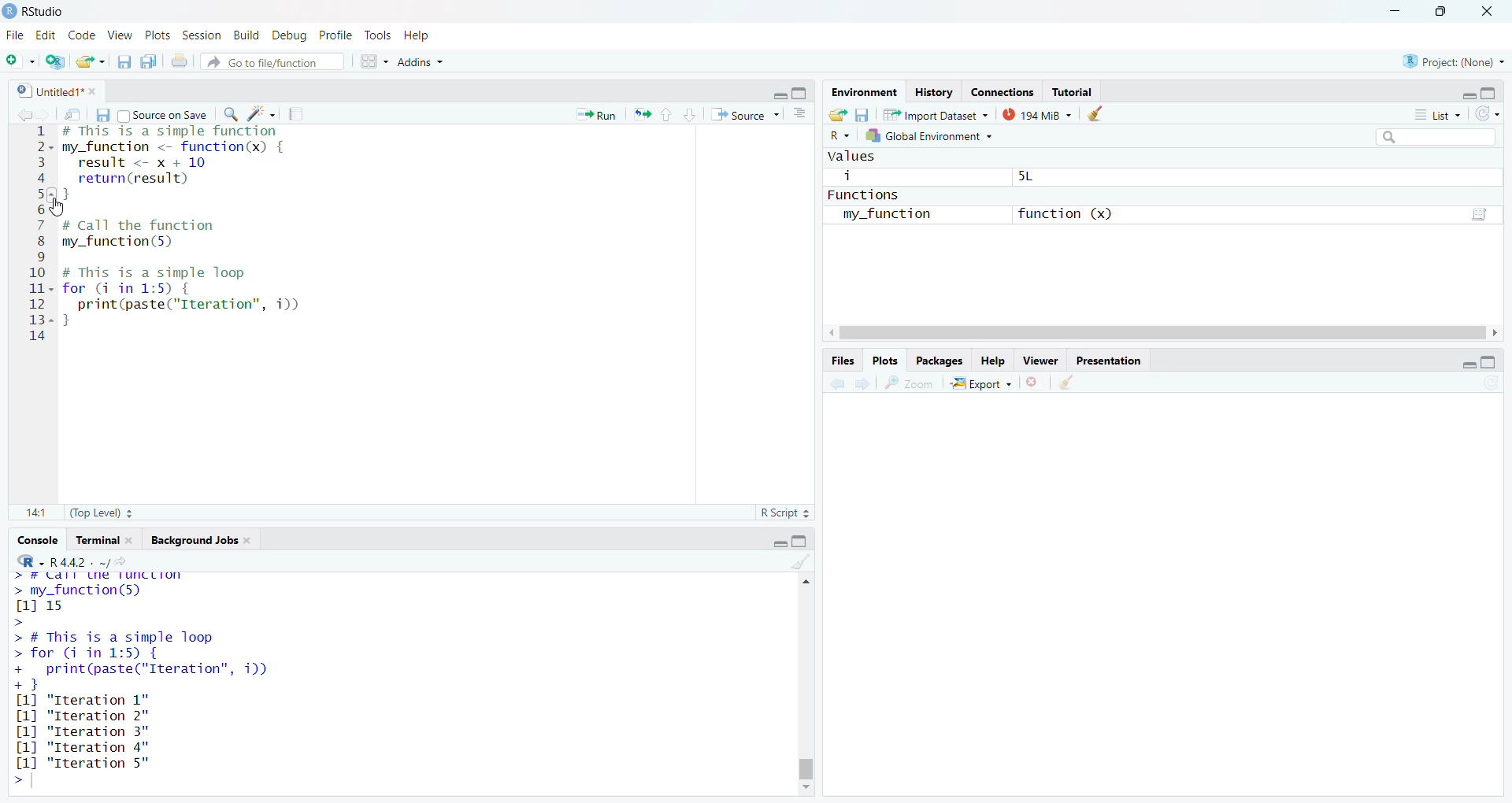  Describe the element at coordinates (339, 34) in the screenshot. I see `profile` at that location.